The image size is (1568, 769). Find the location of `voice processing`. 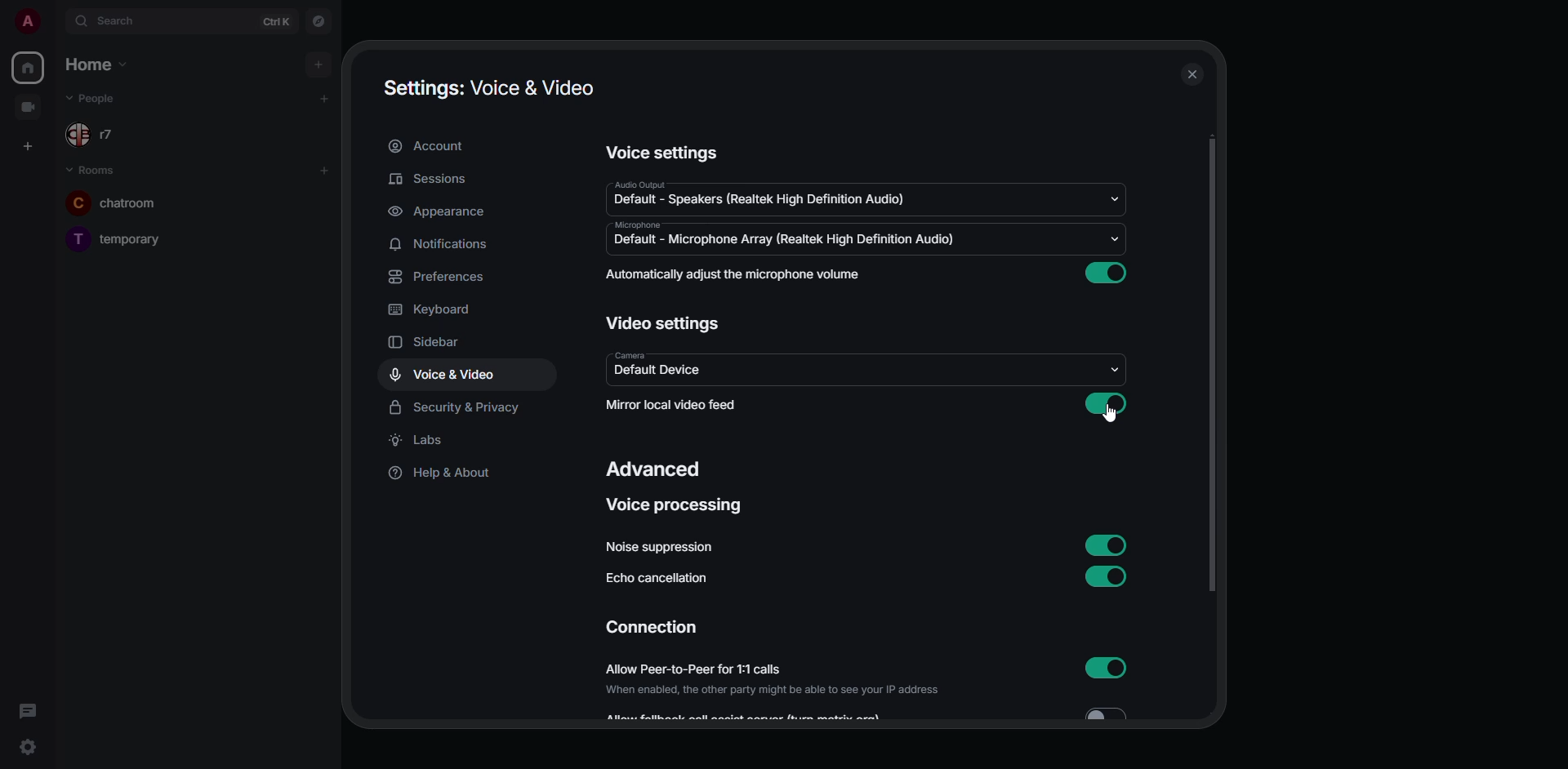

voice processing is located at coordinates (673, 506).